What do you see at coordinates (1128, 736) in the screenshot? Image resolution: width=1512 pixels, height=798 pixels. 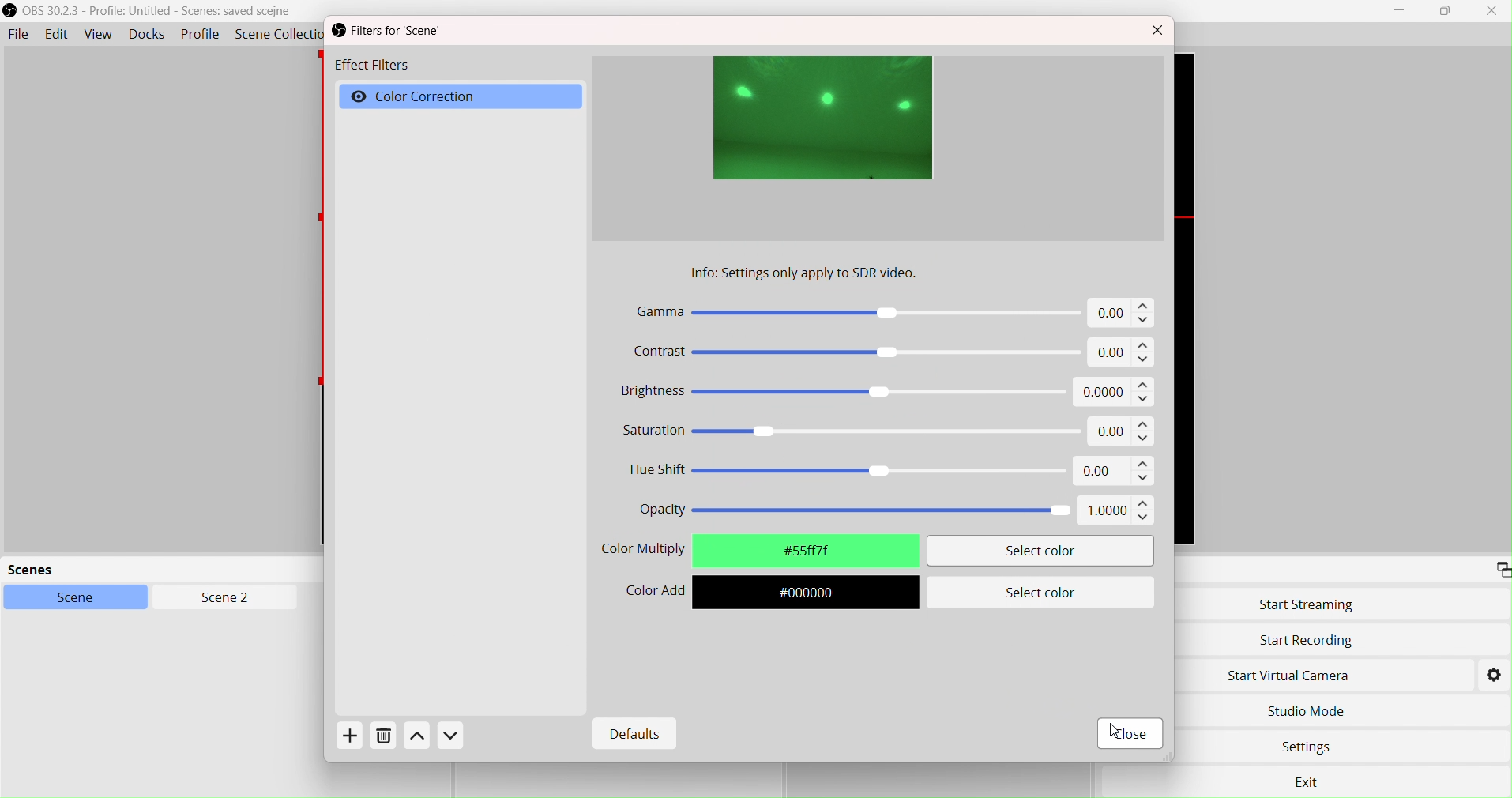 I see `Close` at bounding box center [1128, 736].